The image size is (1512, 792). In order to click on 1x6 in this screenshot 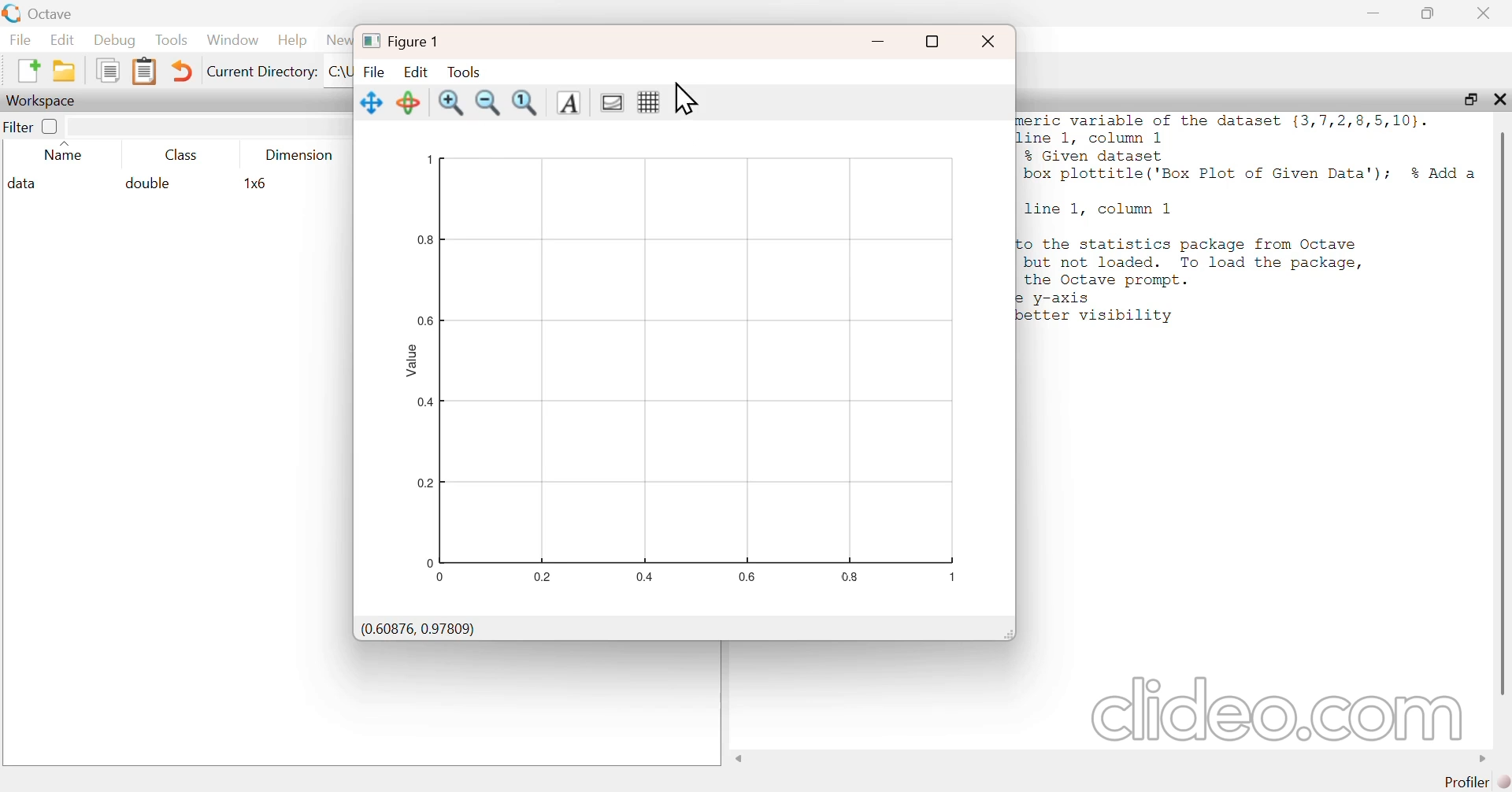, I will do `click(259, 183)`.